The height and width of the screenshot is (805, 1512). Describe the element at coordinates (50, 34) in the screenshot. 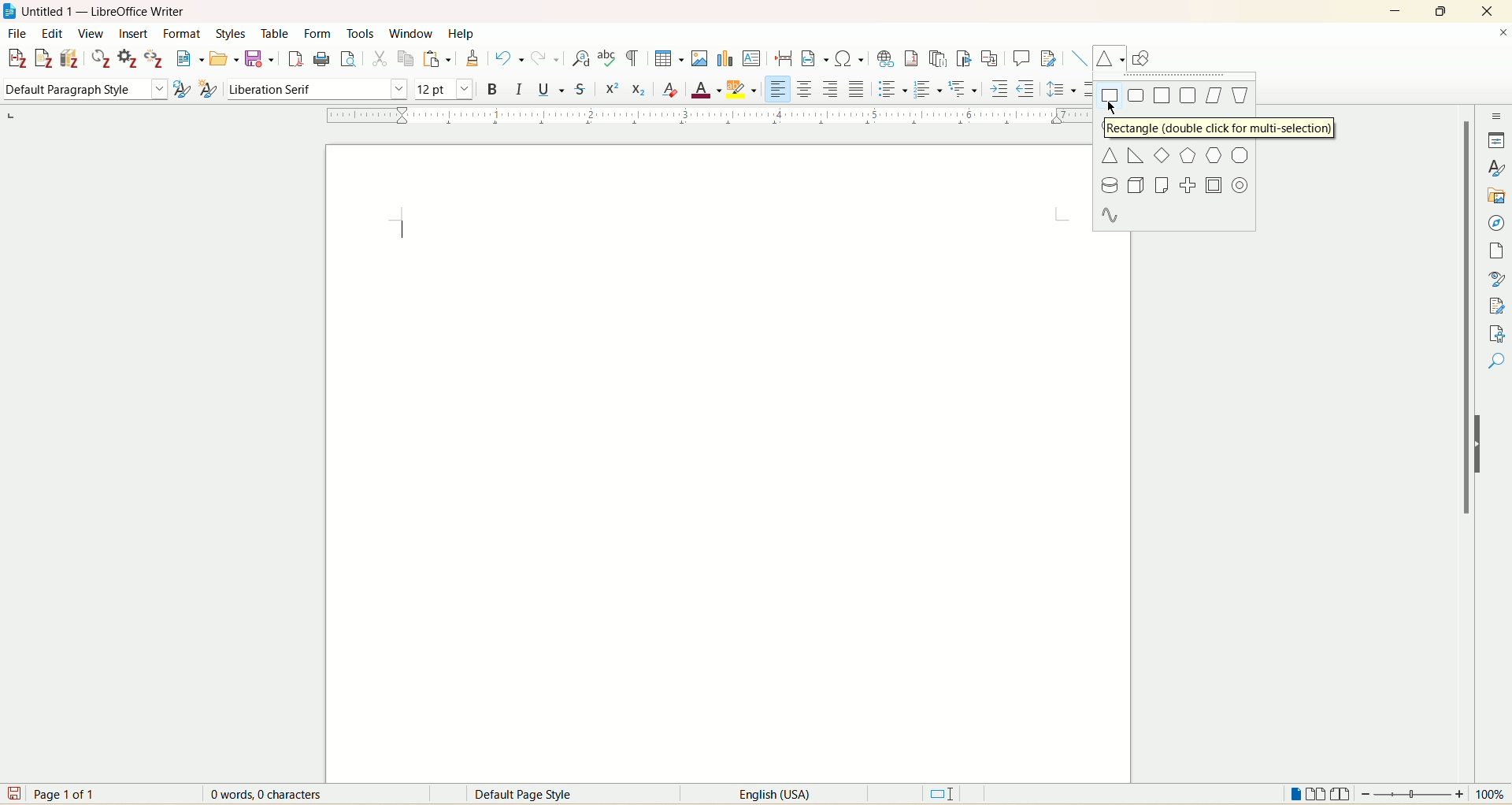

I see `edit` at that location.